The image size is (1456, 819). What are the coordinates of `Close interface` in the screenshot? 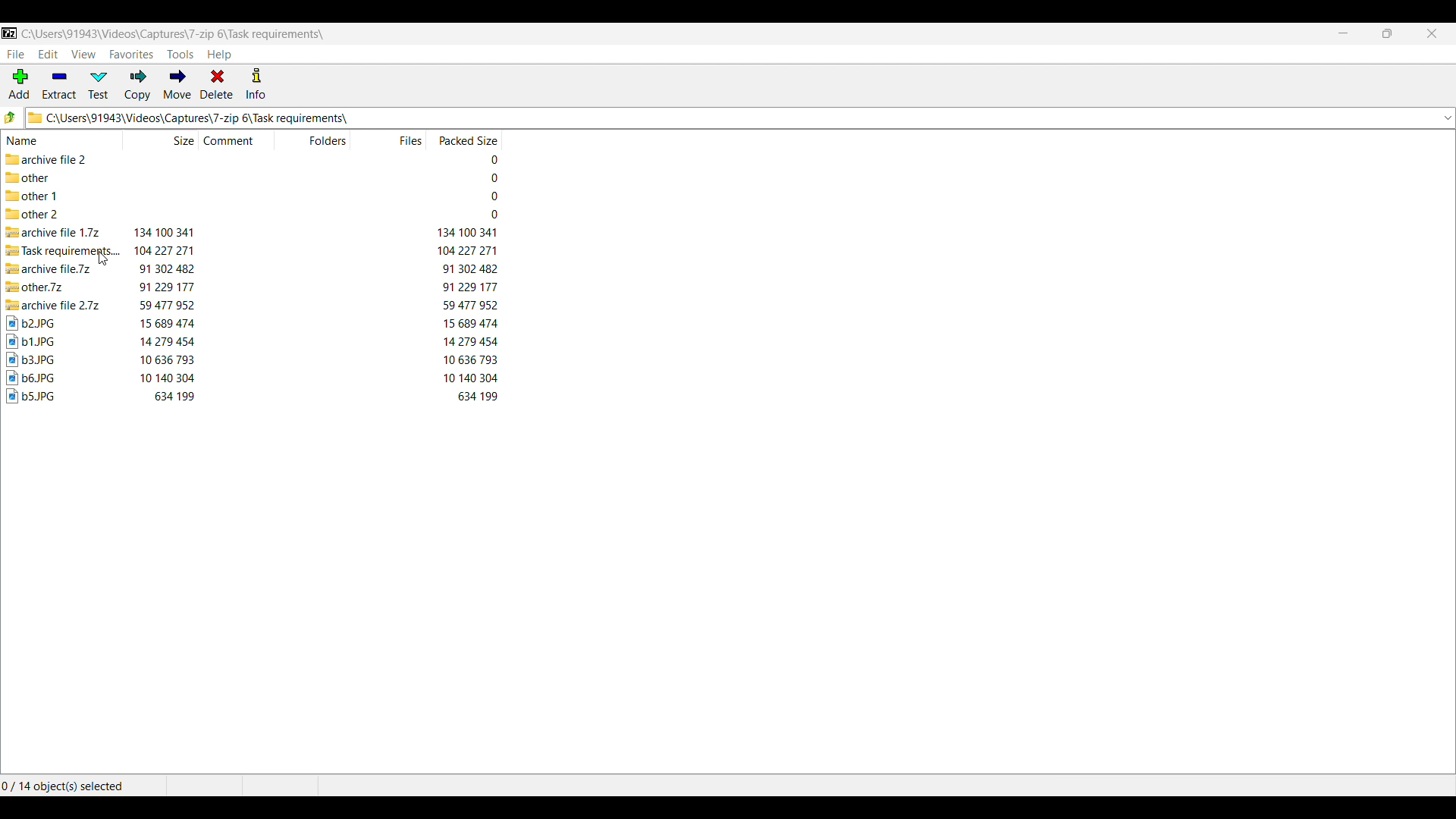 It's located at (1432, 33).